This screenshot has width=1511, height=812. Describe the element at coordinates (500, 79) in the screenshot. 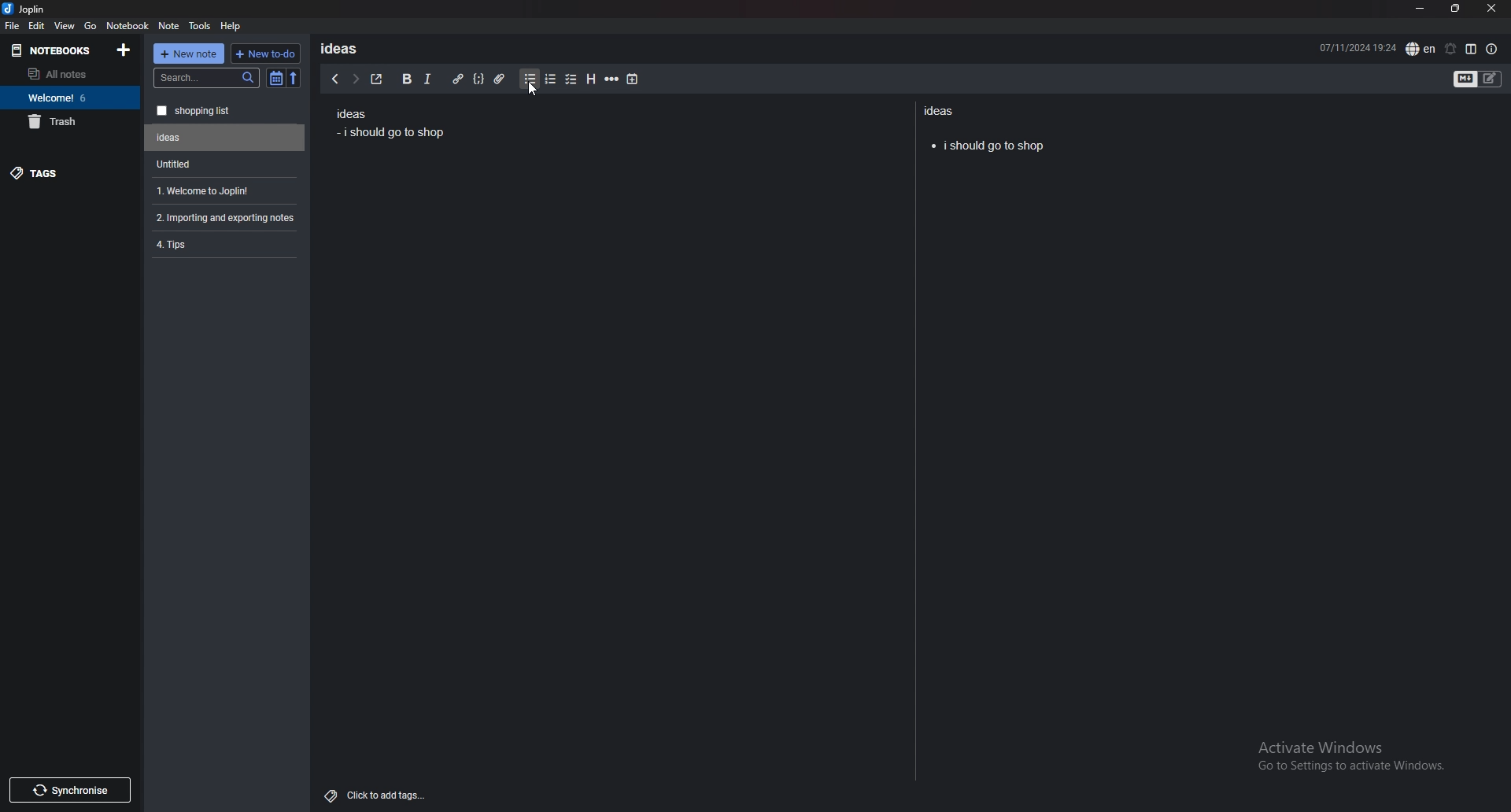

I see `attachment` at that location.